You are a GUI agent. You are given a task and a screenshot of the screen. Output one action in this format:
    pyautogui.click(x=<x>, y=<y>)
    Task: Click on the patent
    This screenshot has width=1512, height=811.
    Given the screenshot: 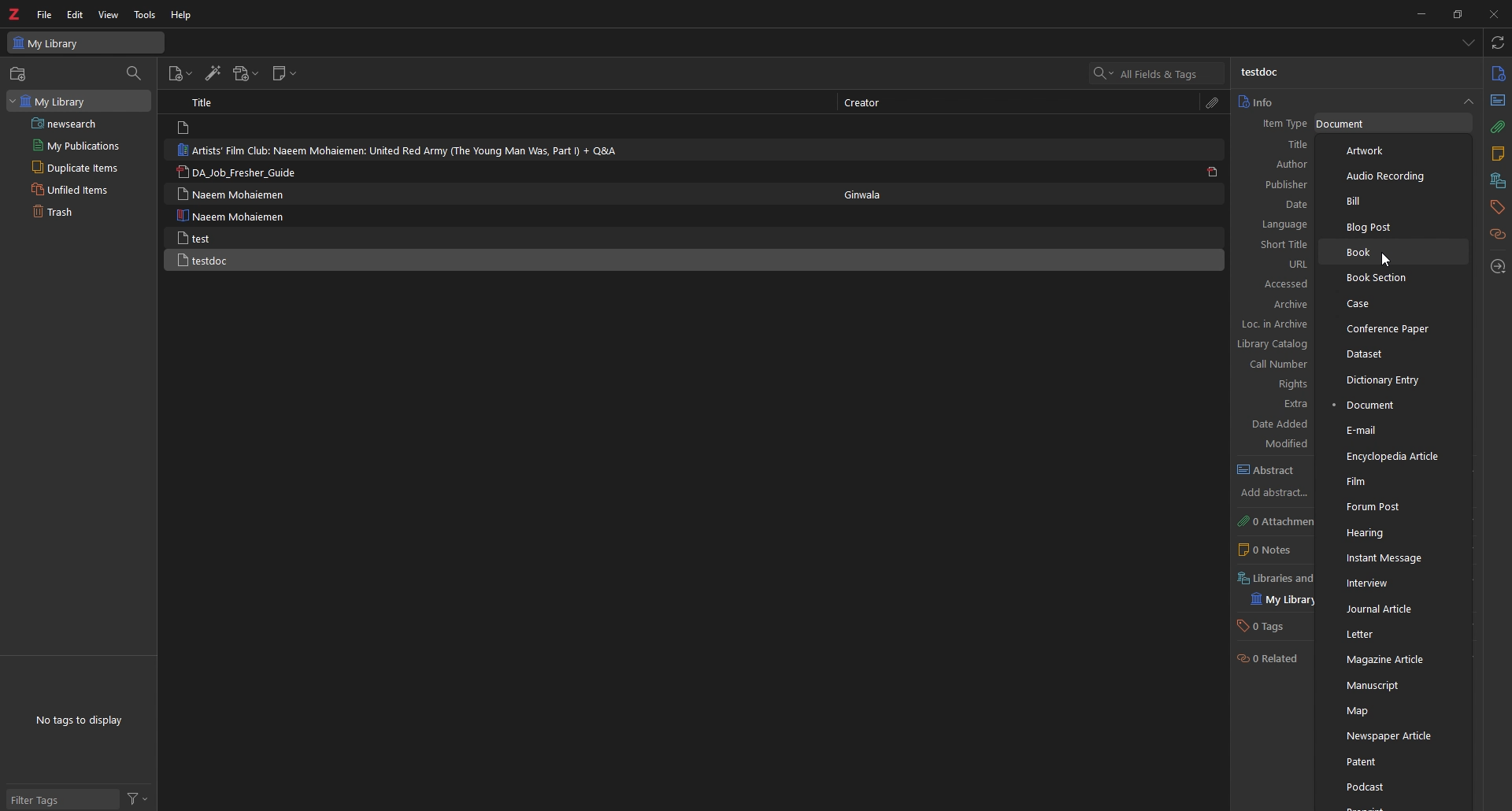 What is the action you would take?
    pyautogui.click(x=1391, y=761)
    